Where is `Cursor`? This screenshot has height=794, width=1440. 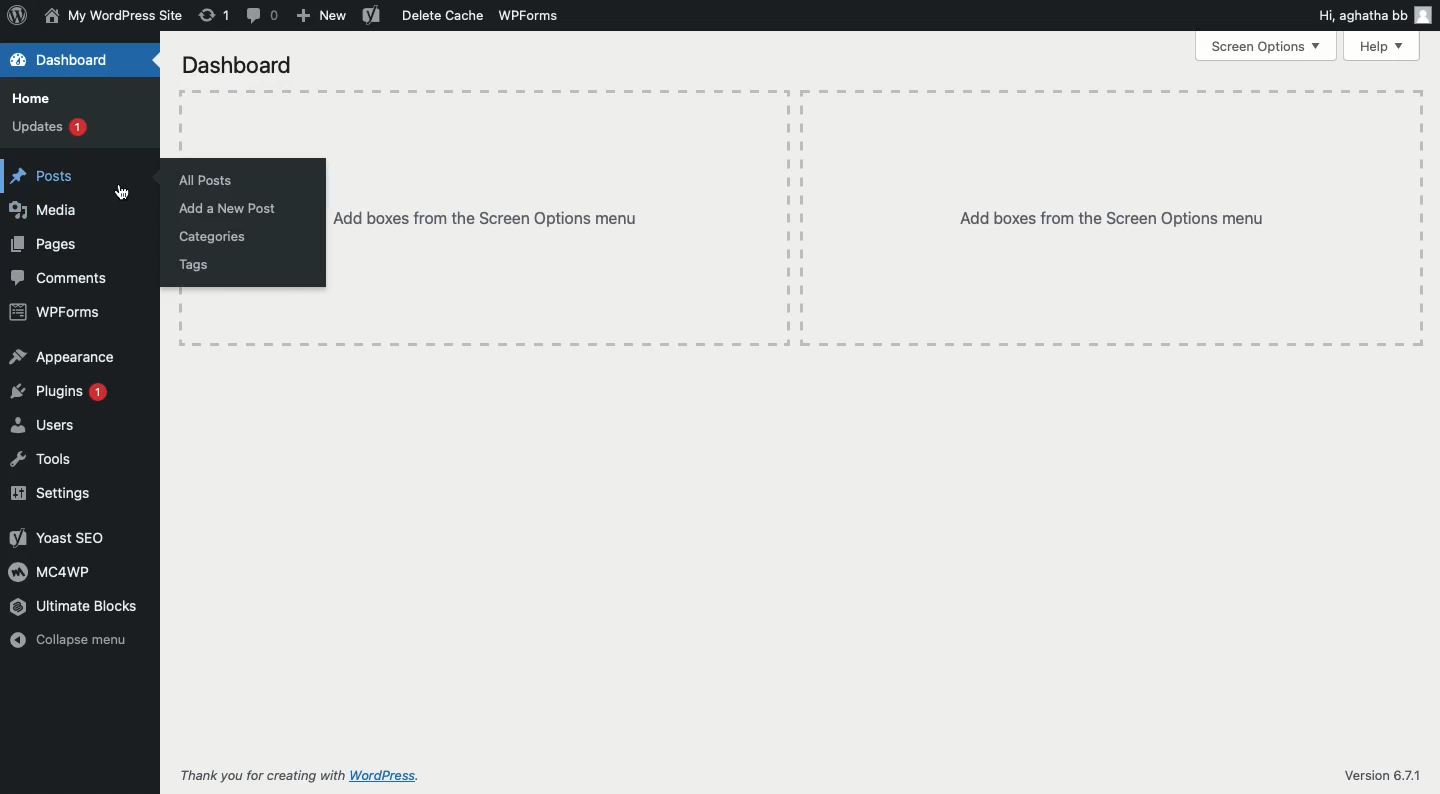
Cursor is located at coordinates (122, 193).